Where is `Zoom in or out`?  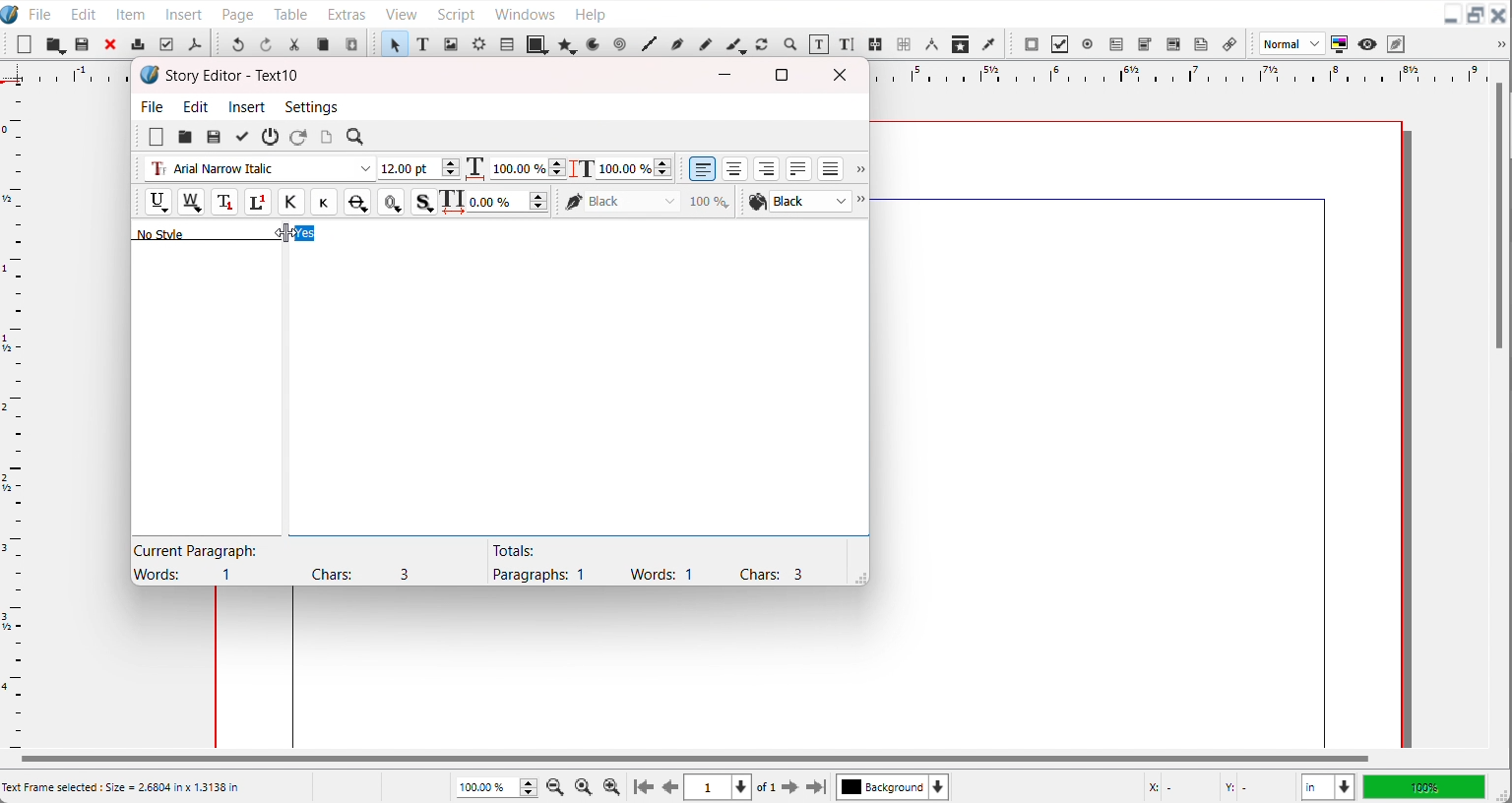 Zoom in or out is located at coordinates (788, 43).